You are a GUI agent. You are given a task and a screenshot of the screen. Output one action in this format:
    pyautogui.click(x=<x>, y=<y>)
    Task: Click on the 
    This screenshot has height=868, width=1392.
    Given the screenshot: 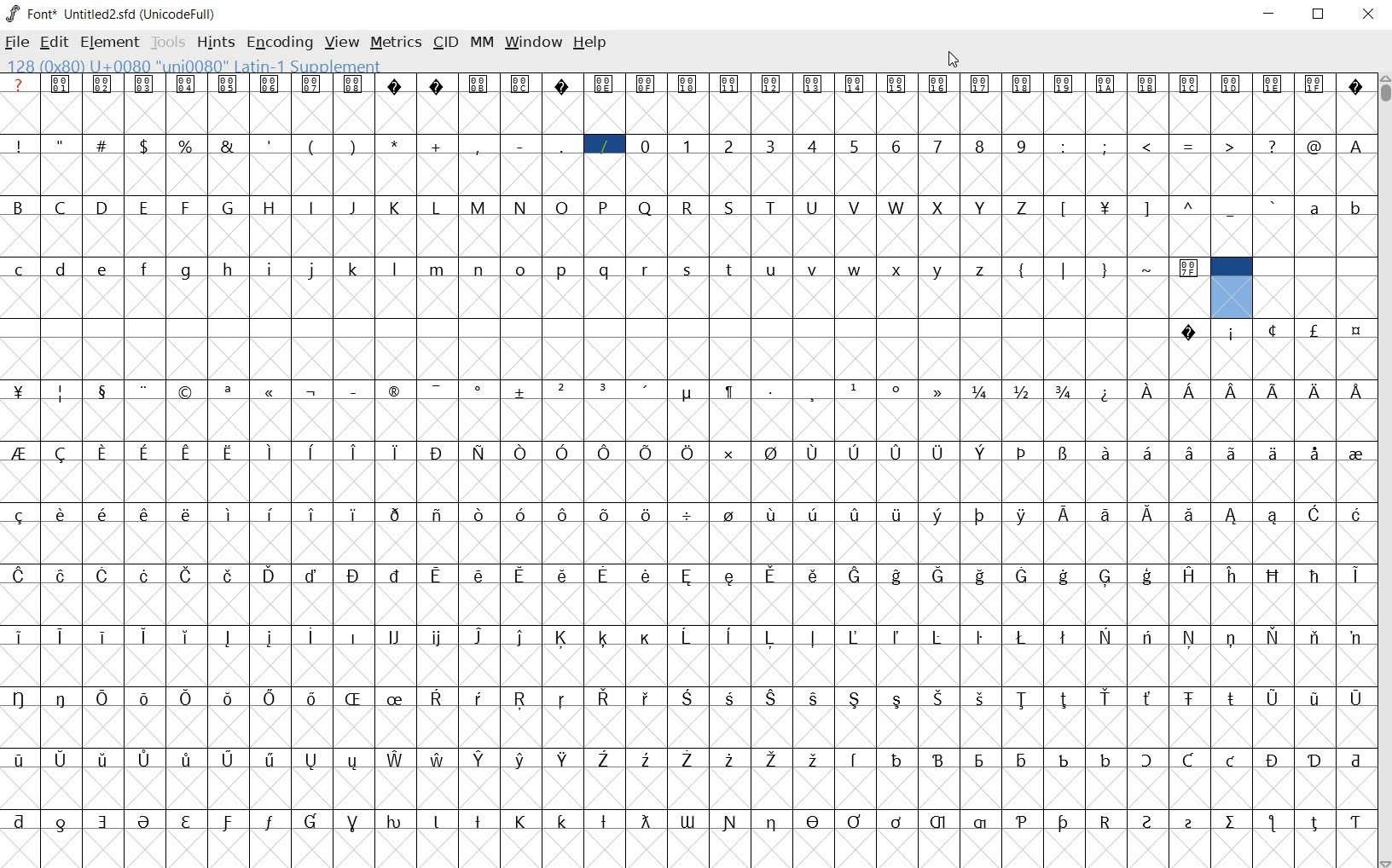 What is the action you would take?
    pyautogui.click(x=1190, y=758)
    